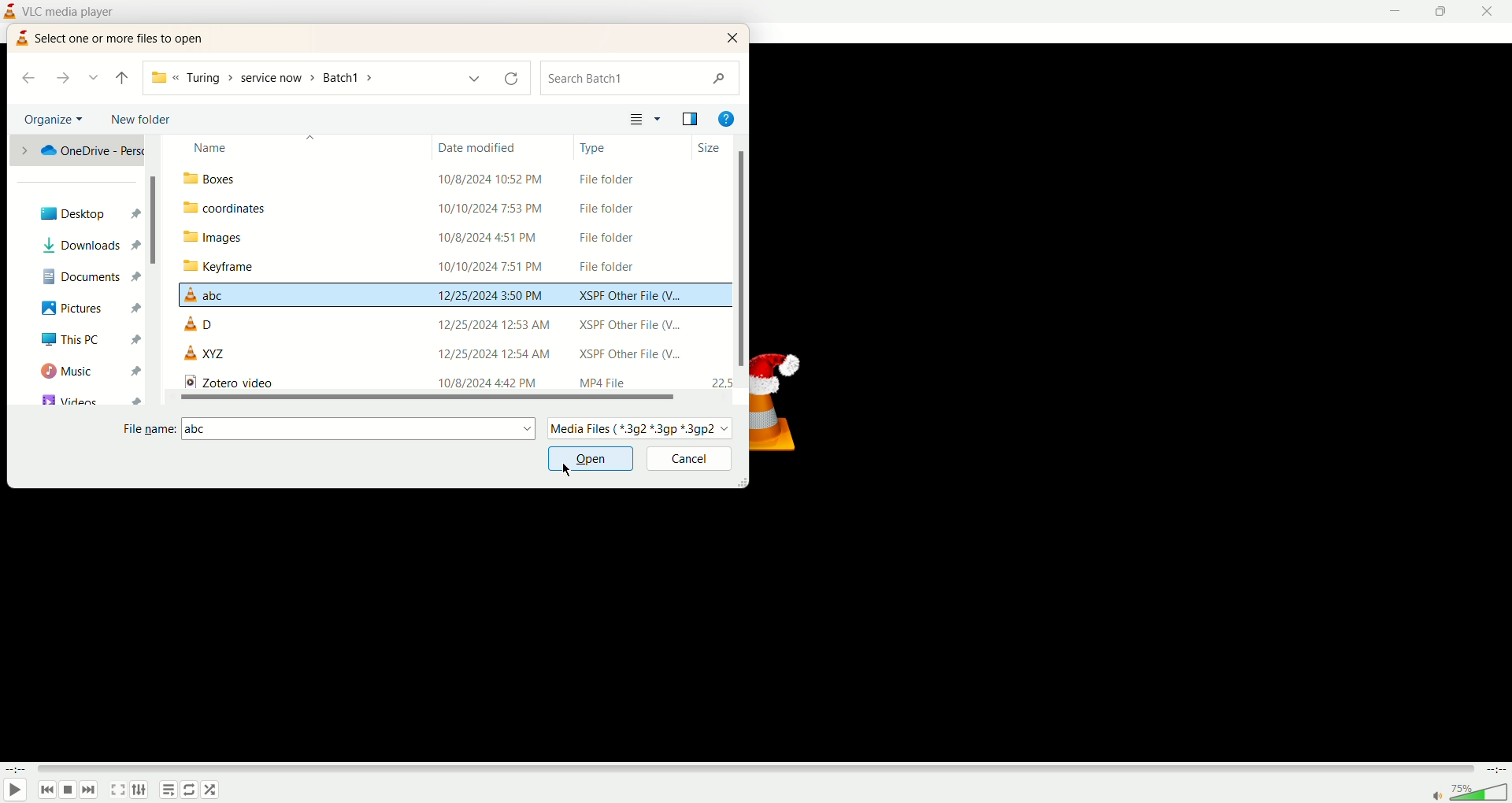 Image resolution: width=1512 pixels, height=803 pixels. I want to click on documents, so click(87, 276).